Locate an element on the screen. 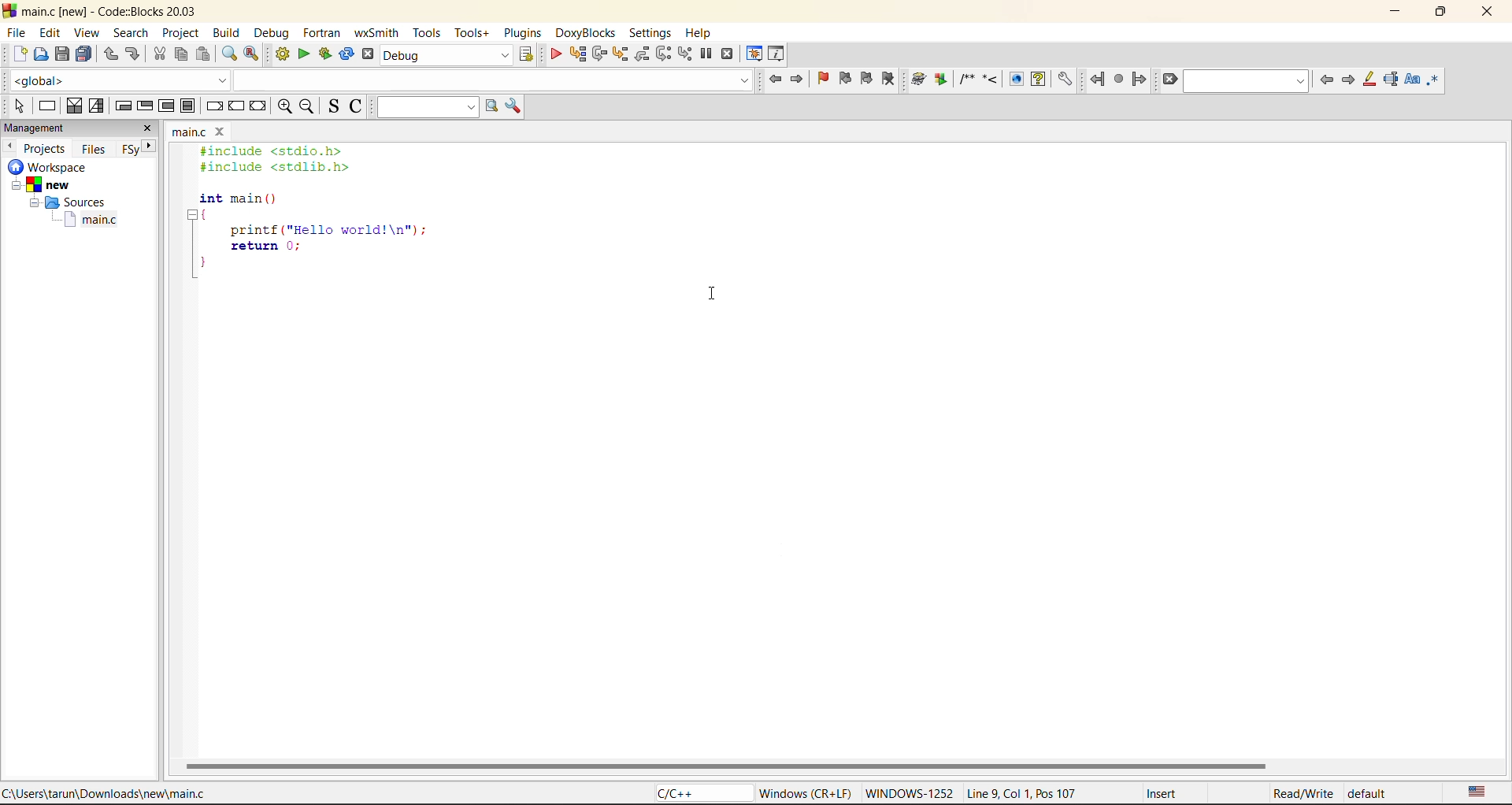 The width and height of the screenshot is (1512, 805). C/C++ is located at coordinates (695, 793).